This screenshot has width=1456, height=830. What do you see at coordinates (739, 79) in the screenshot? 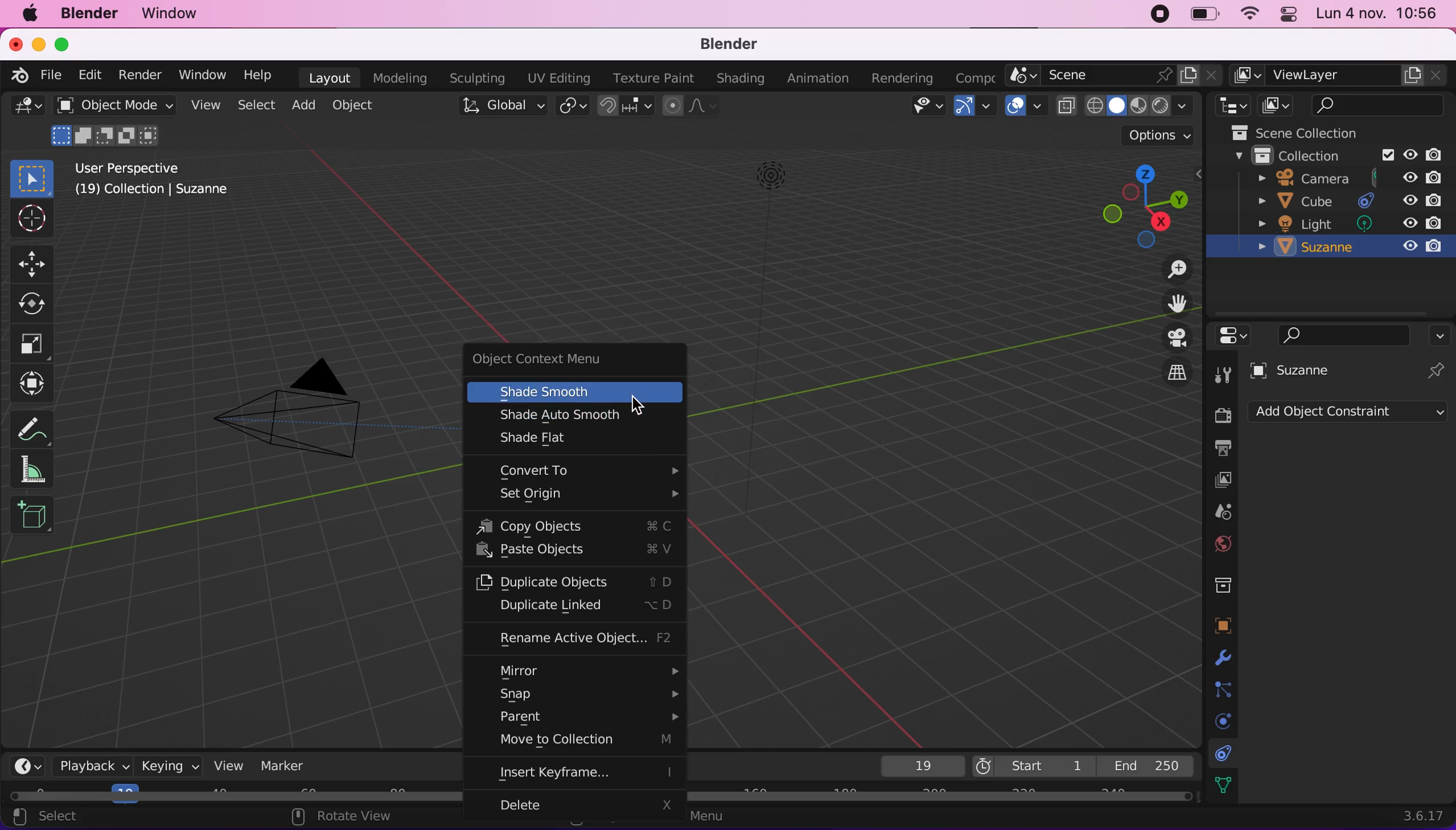
I see `shading` at bounding box center [739, 79].